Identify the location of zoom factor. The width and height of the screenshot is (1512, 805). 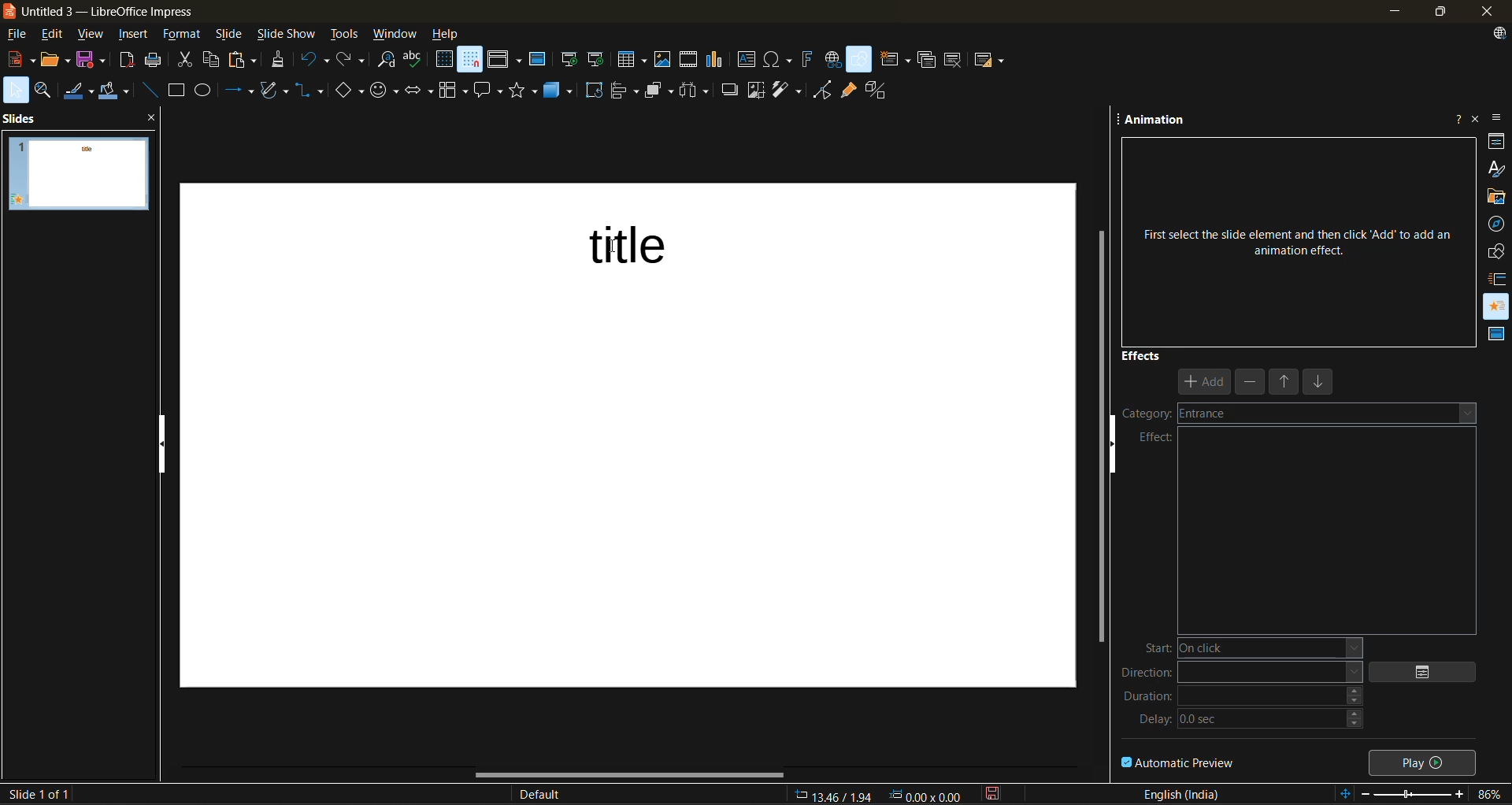
(1492, 794).